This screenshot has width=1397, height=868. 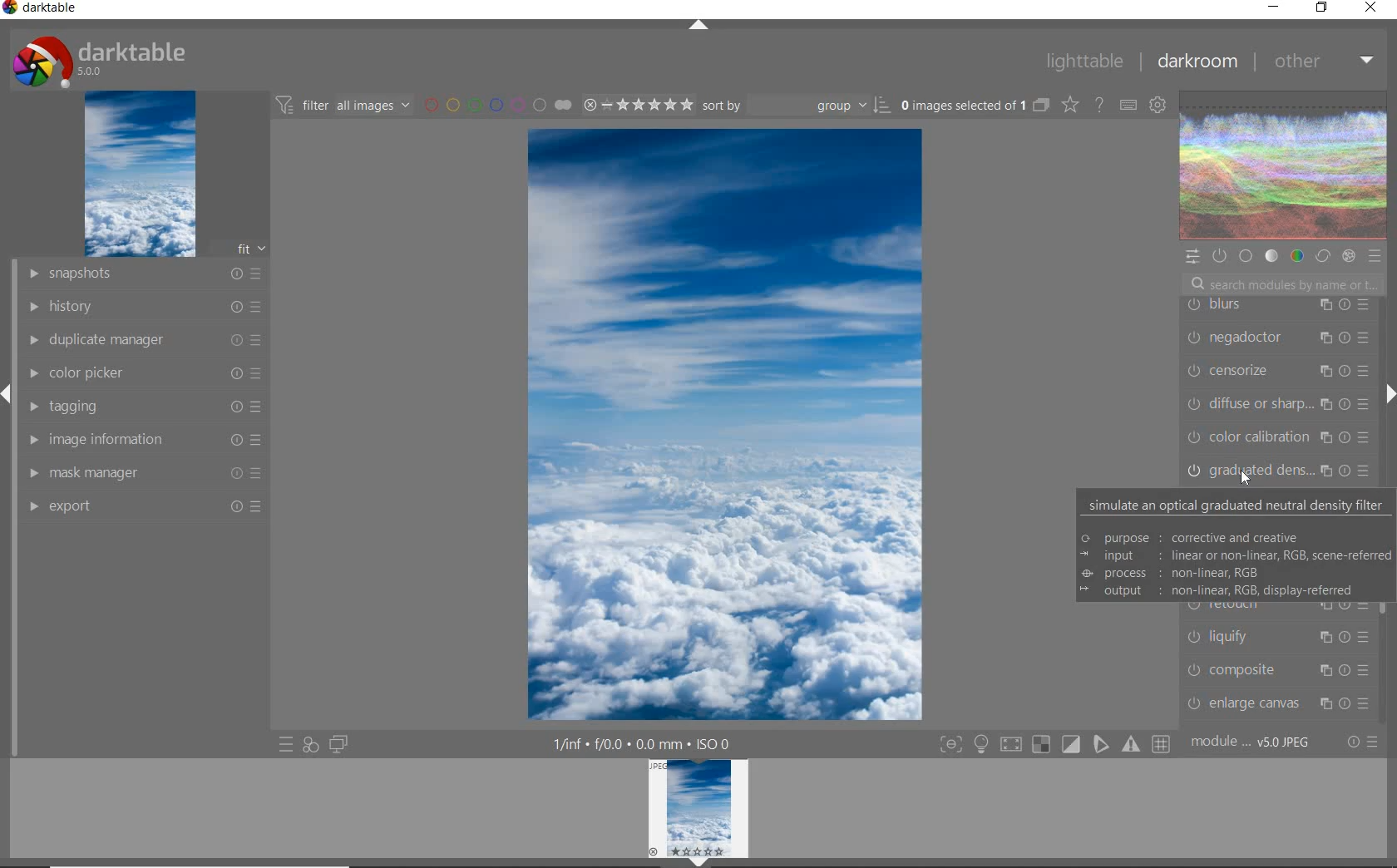 What do you see at coordinates (1196, 62) in the screenshot?
I see `DARKROOM` at bounding box center [1196, 62].